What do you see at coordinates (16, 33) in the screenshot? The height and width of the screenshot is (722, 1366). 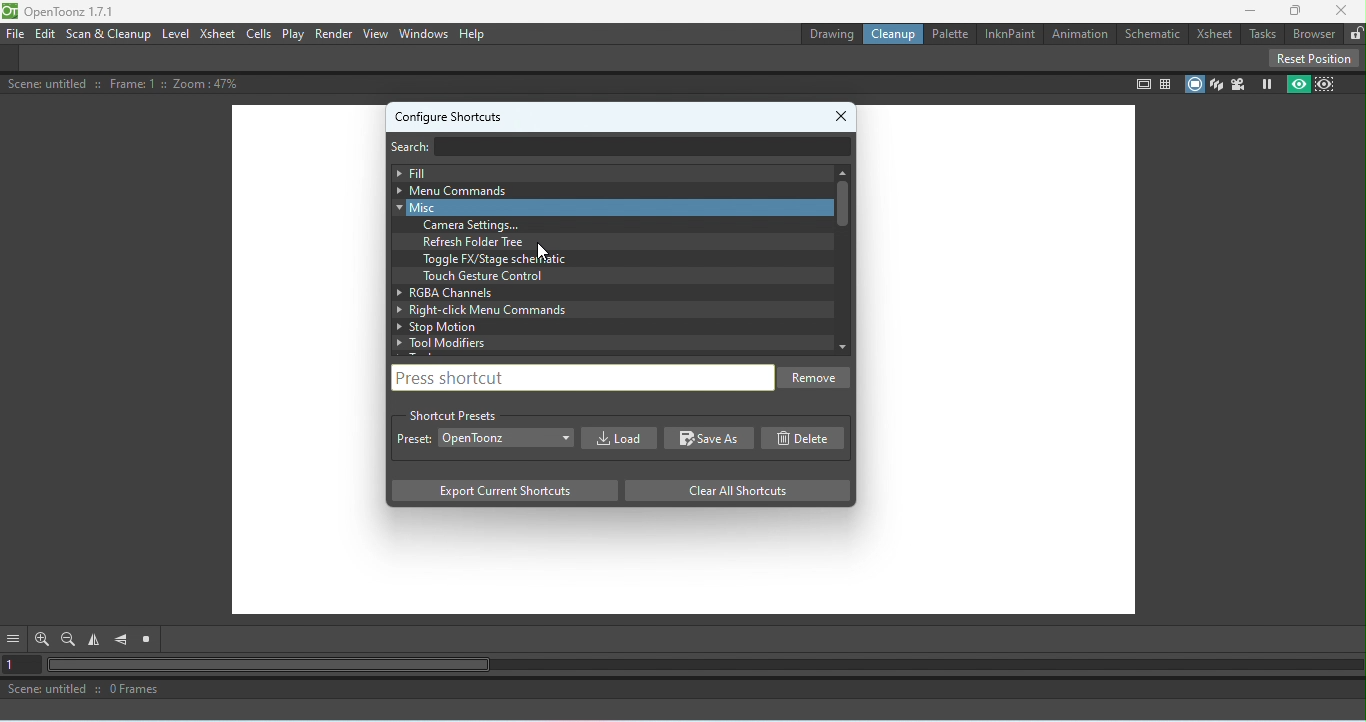 I see `File` at bounding box center [16, 33].